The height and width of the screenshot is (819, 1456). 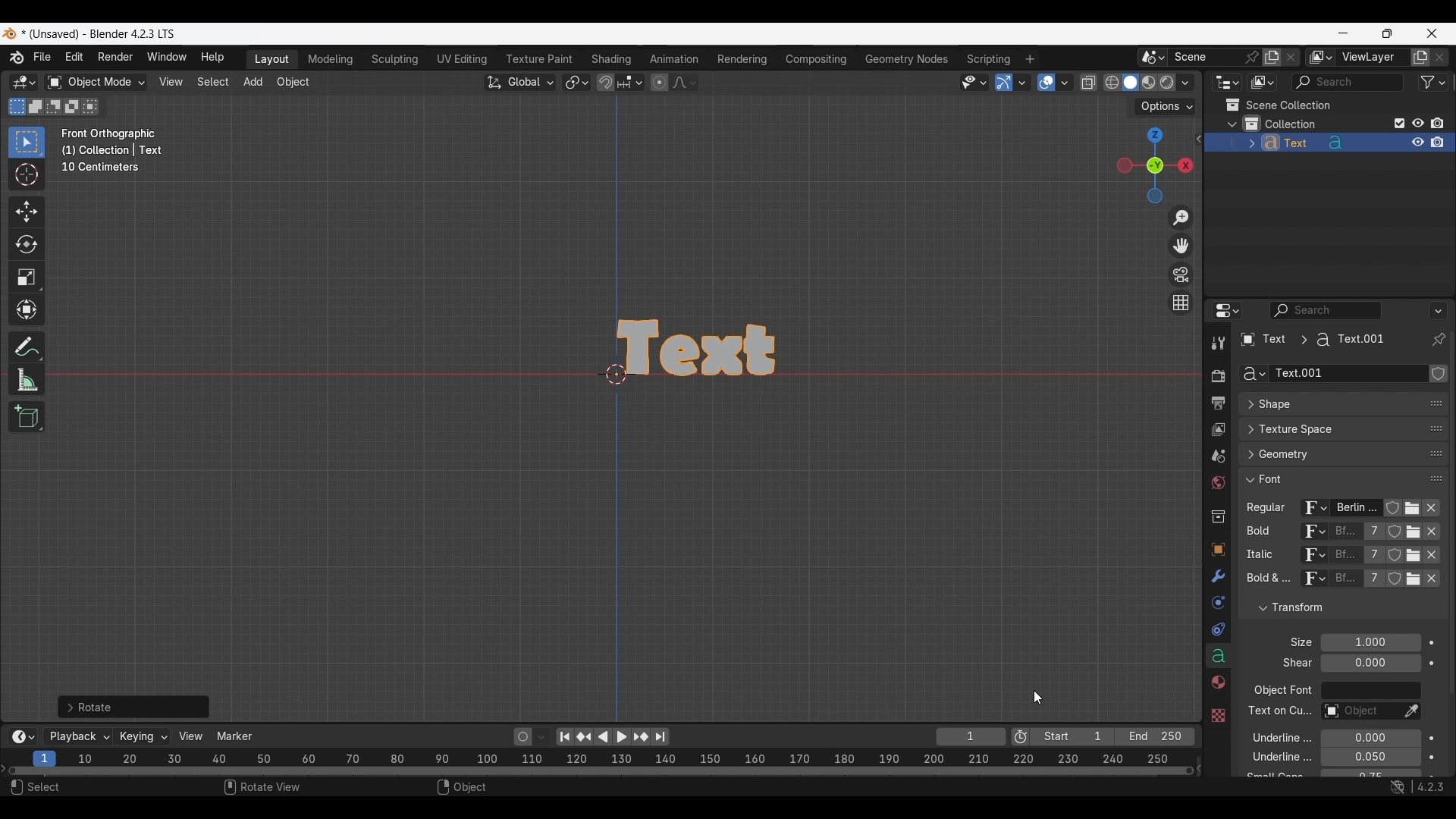 What do you see at coordinates (627, 757) in the screenshot?
I see `10 20 30 40 50 60 70 80 90 100 110 120 130 140 150 160 170 180 190 200 210 220 230 240 250` at bounding box center [627, 757].